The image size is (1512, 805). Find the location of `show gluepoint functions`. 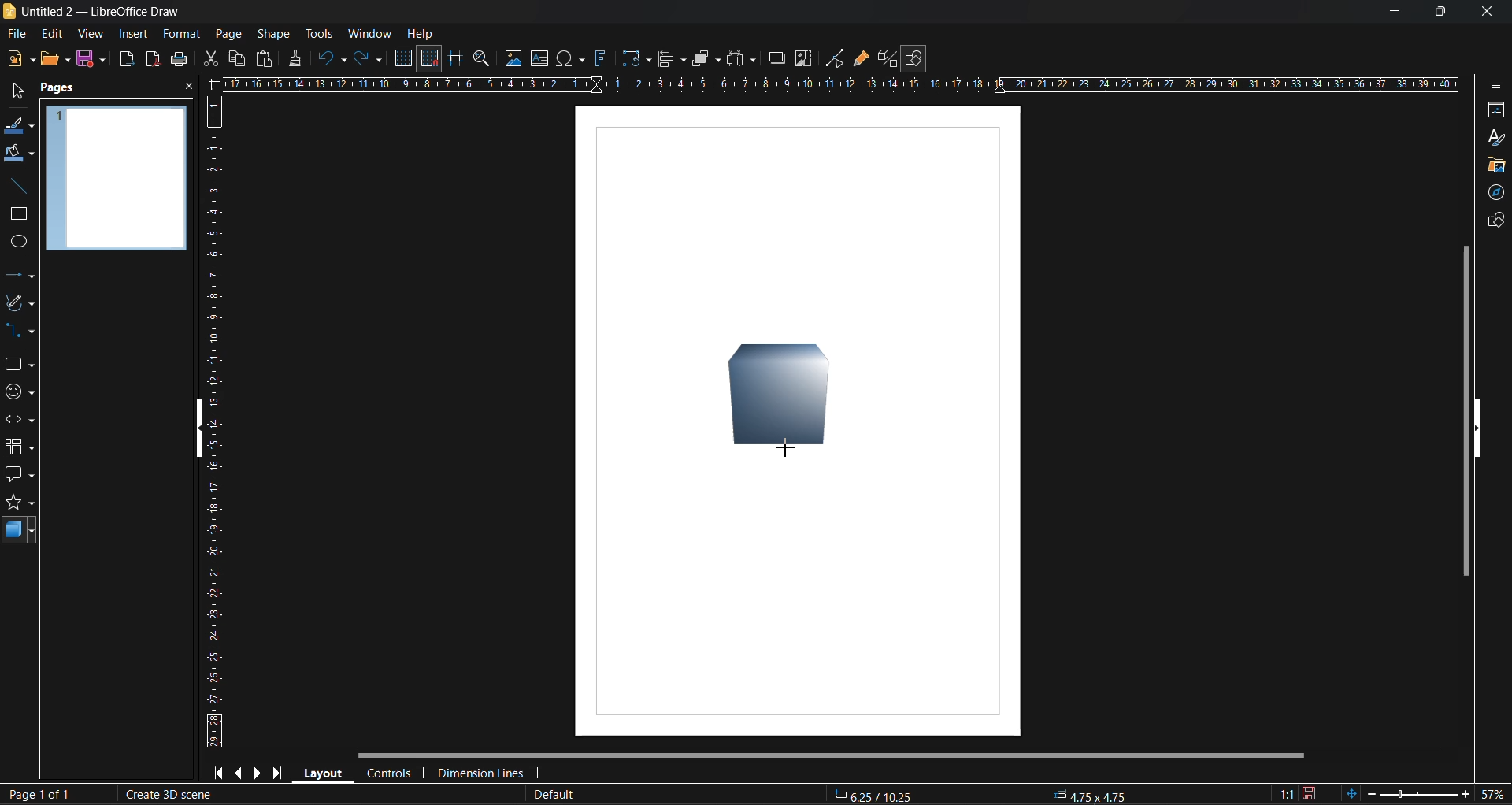

show gluepoint functions is located at coordinates (861, 59).